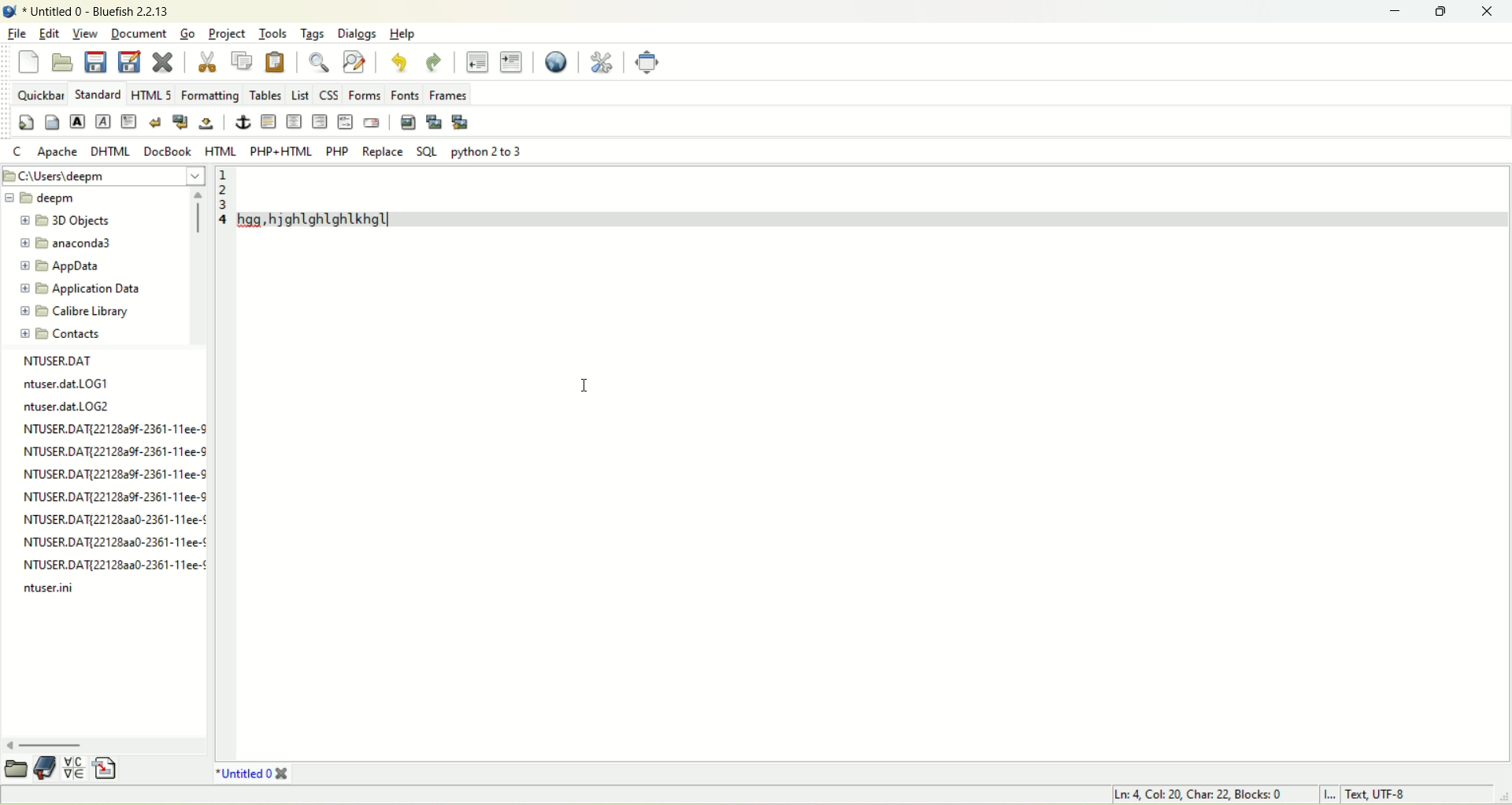  What do you see at coordinates (113, 151) in the screenshot?
I see `DHTML` at bounding box center [113, 151].